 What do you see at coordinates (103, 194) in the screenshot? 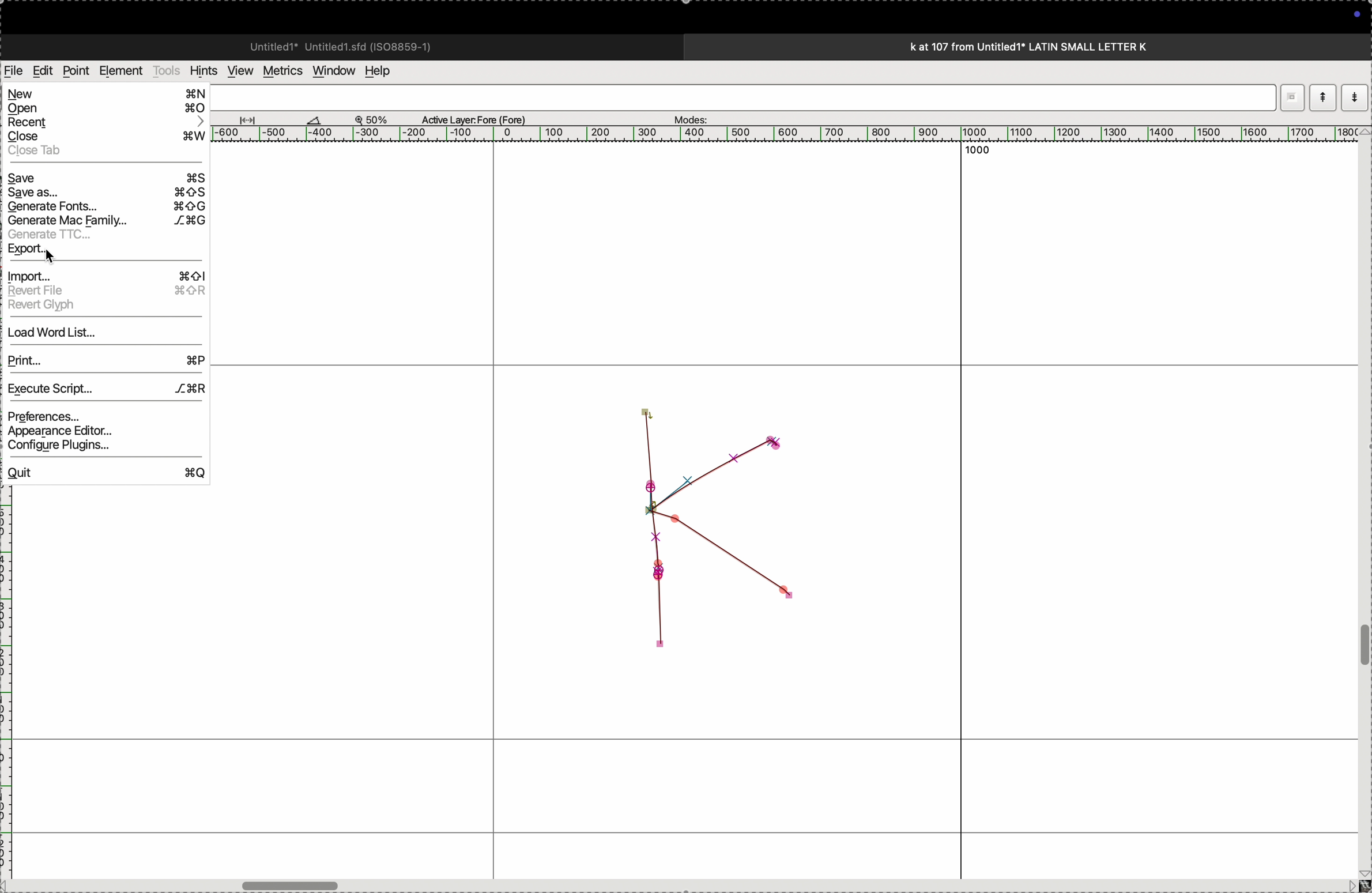
I see `save as` at bounding box center [103, 194].